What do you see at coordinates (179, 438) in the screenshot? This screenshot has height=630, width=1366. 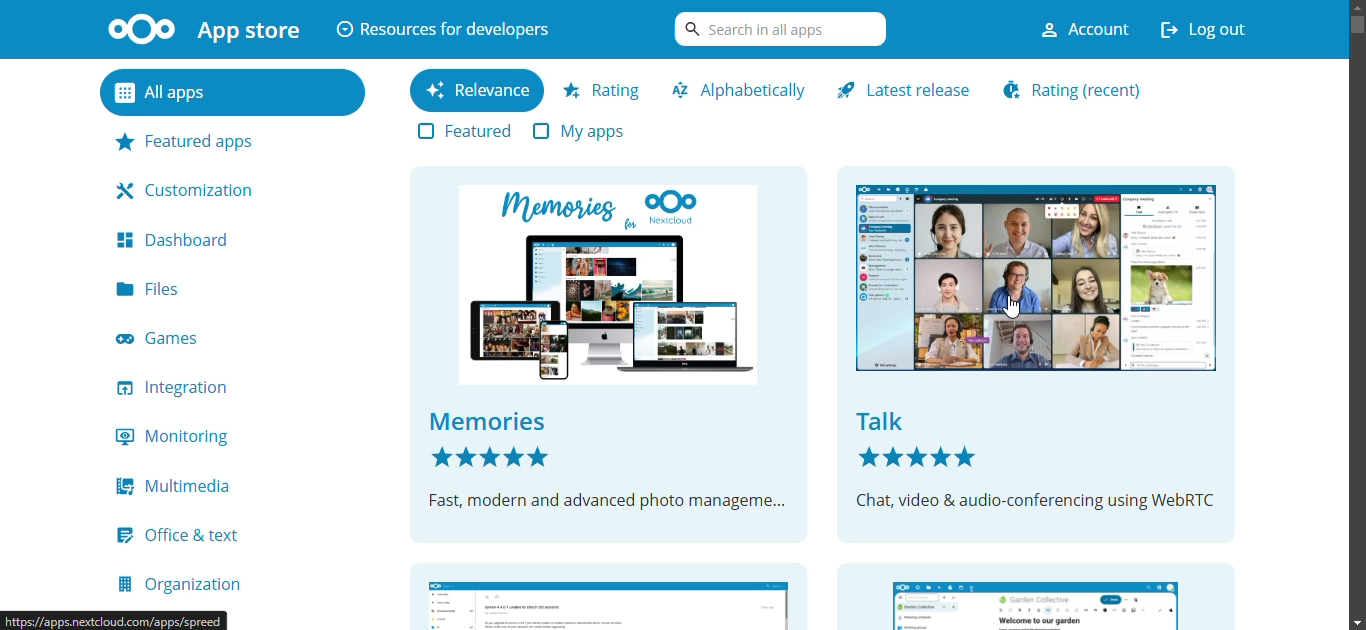 I see `monitoring` at bounding box center [179, 438].